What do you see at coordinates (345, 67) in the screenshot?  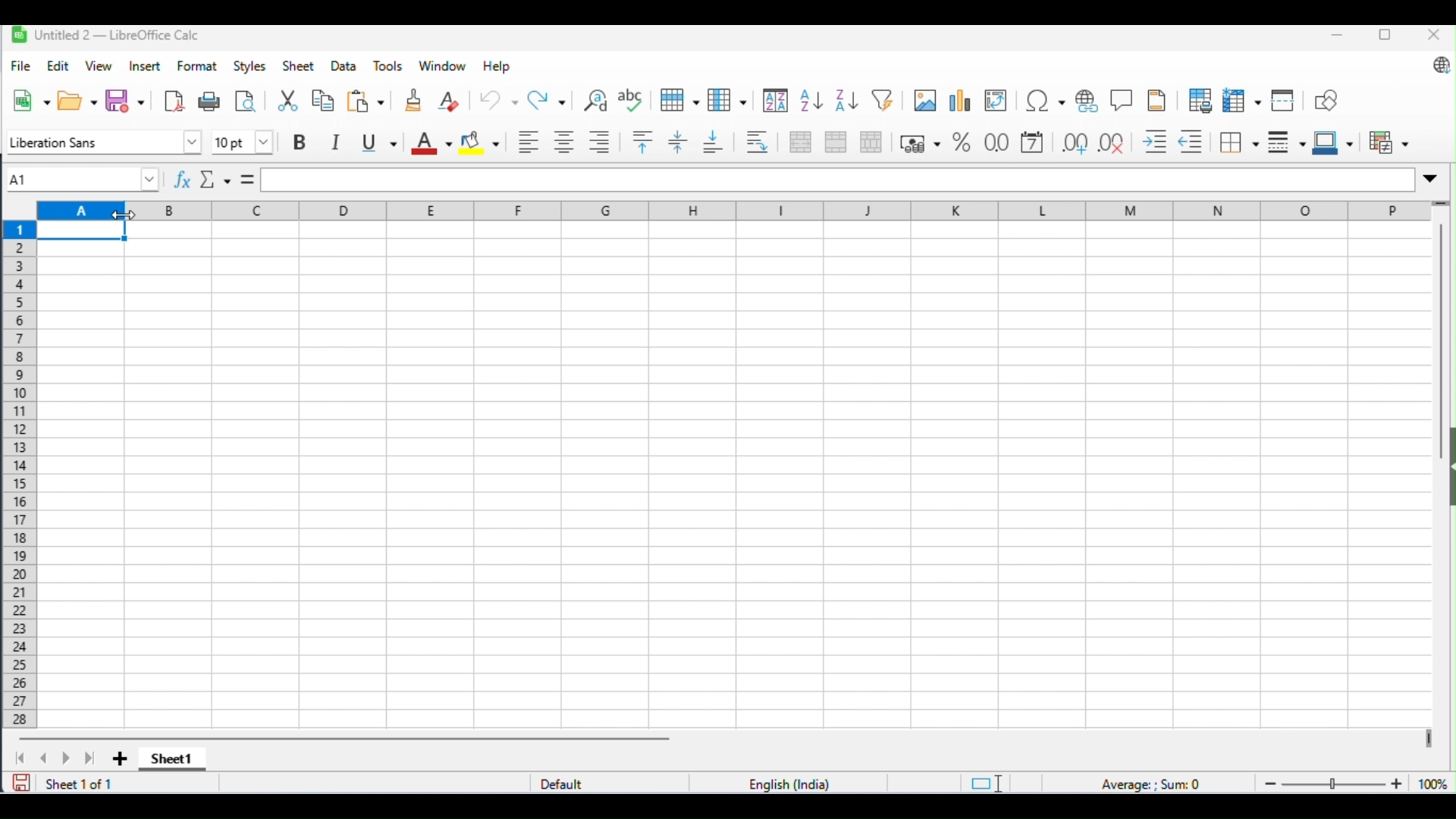 I see `data` at bounding box center [345, 67].